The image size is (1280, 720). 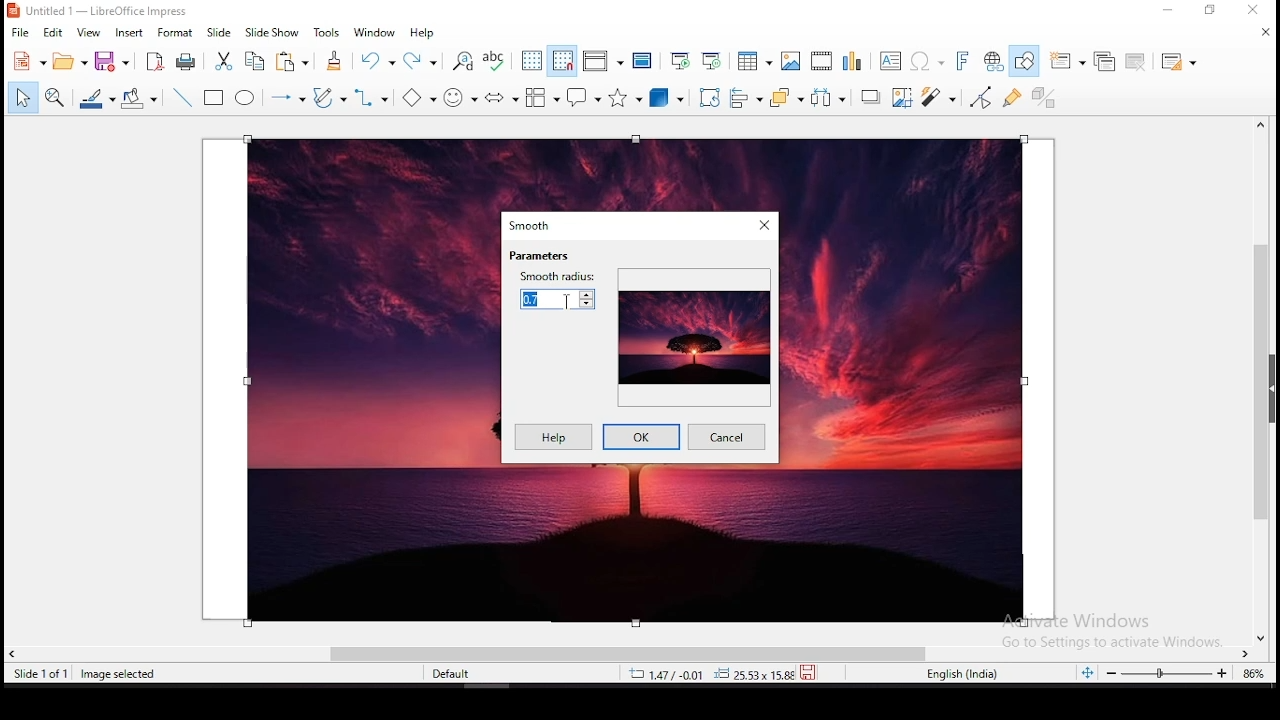 What do you see at coordinates (821, 62) in the screenshot?
I see `insert video` at bounding box center [821, 62].